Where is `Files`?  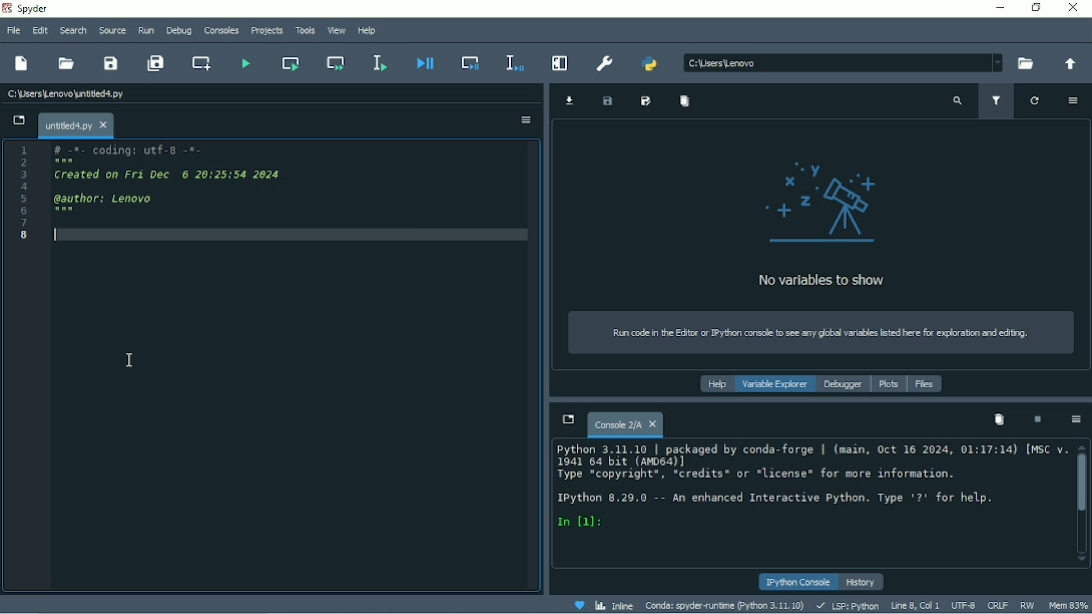 Files is located at coordinates (923, 383).